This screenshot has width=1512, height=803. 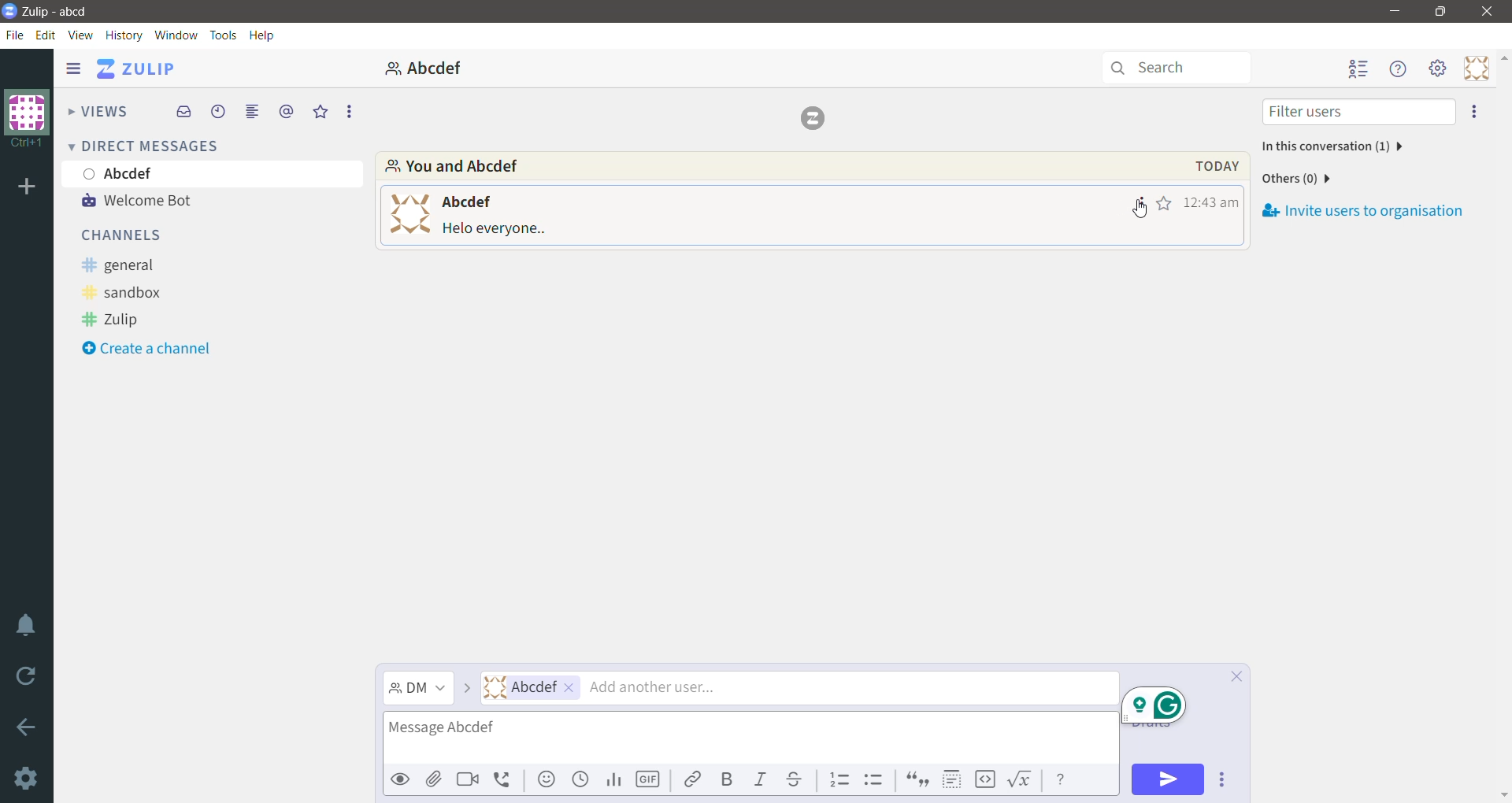 What do you see at coordinates (1364, 204) in the screenshot?
I see `Invite users to organization` at bounding box center [1364, 204].